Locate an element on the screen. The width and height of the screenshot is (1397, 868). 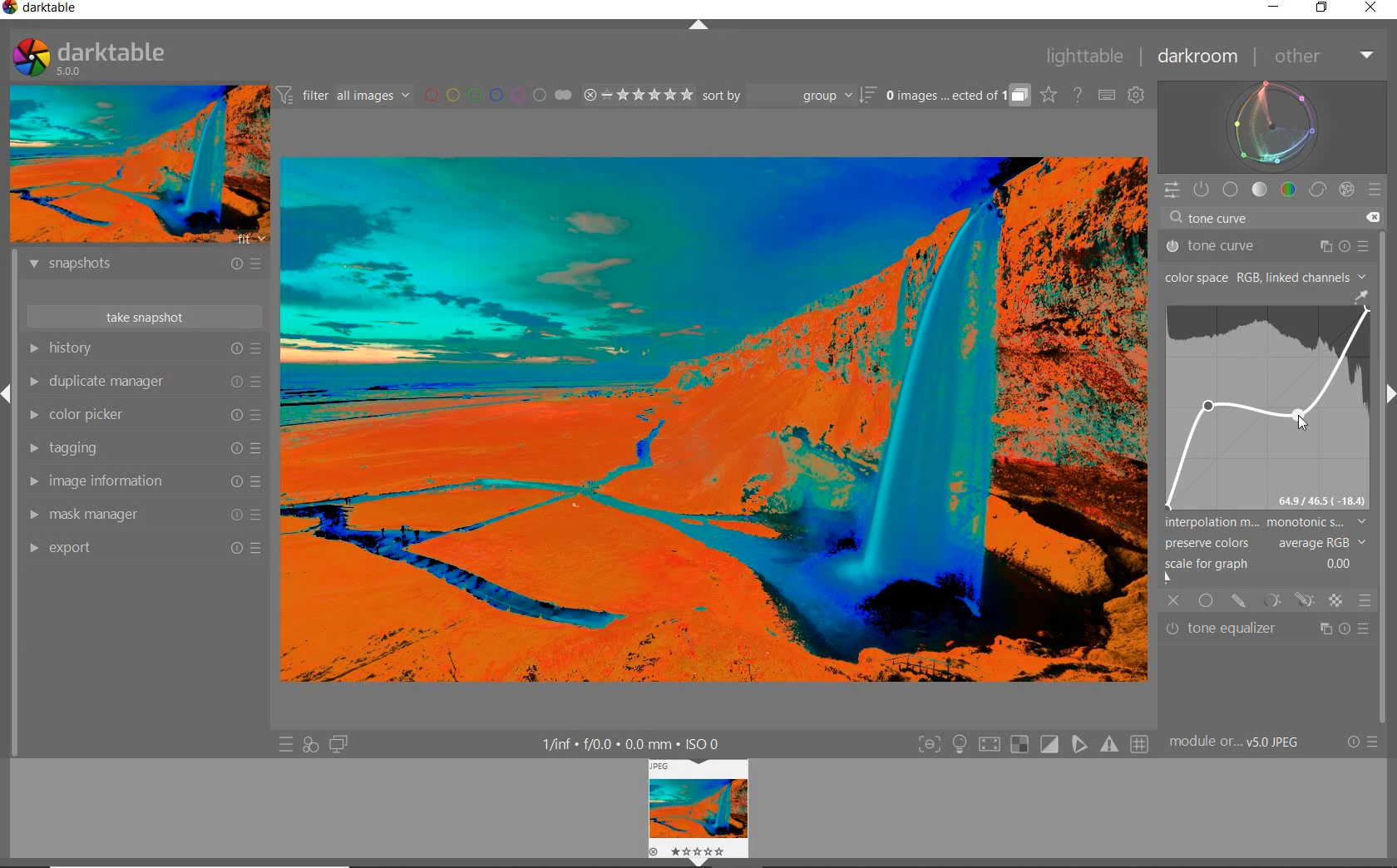
snapshots is located at coordinates (149, 266).